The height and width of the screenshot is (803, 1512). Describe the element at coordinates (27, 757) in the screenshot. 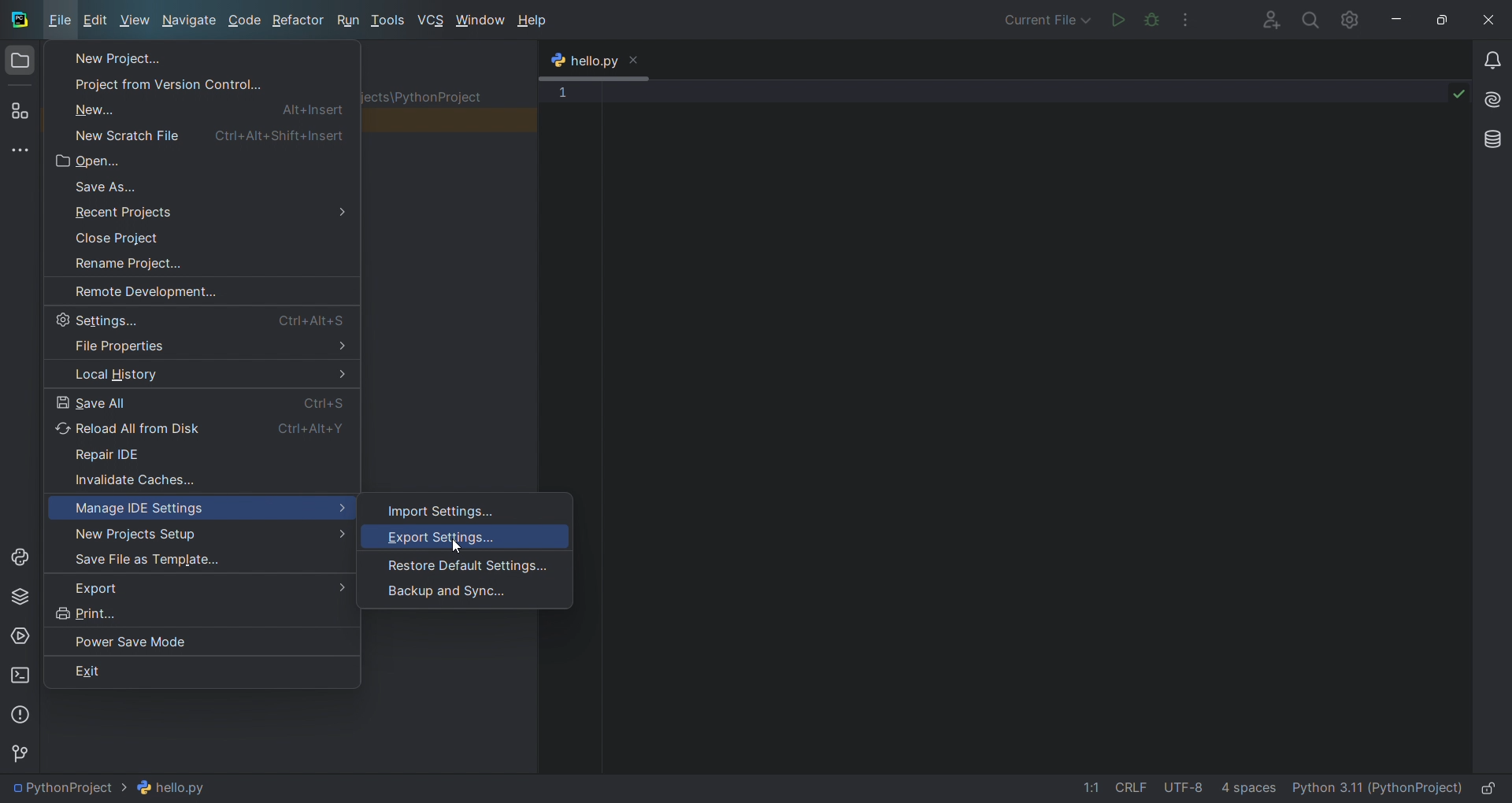

I see `version control` at that location.